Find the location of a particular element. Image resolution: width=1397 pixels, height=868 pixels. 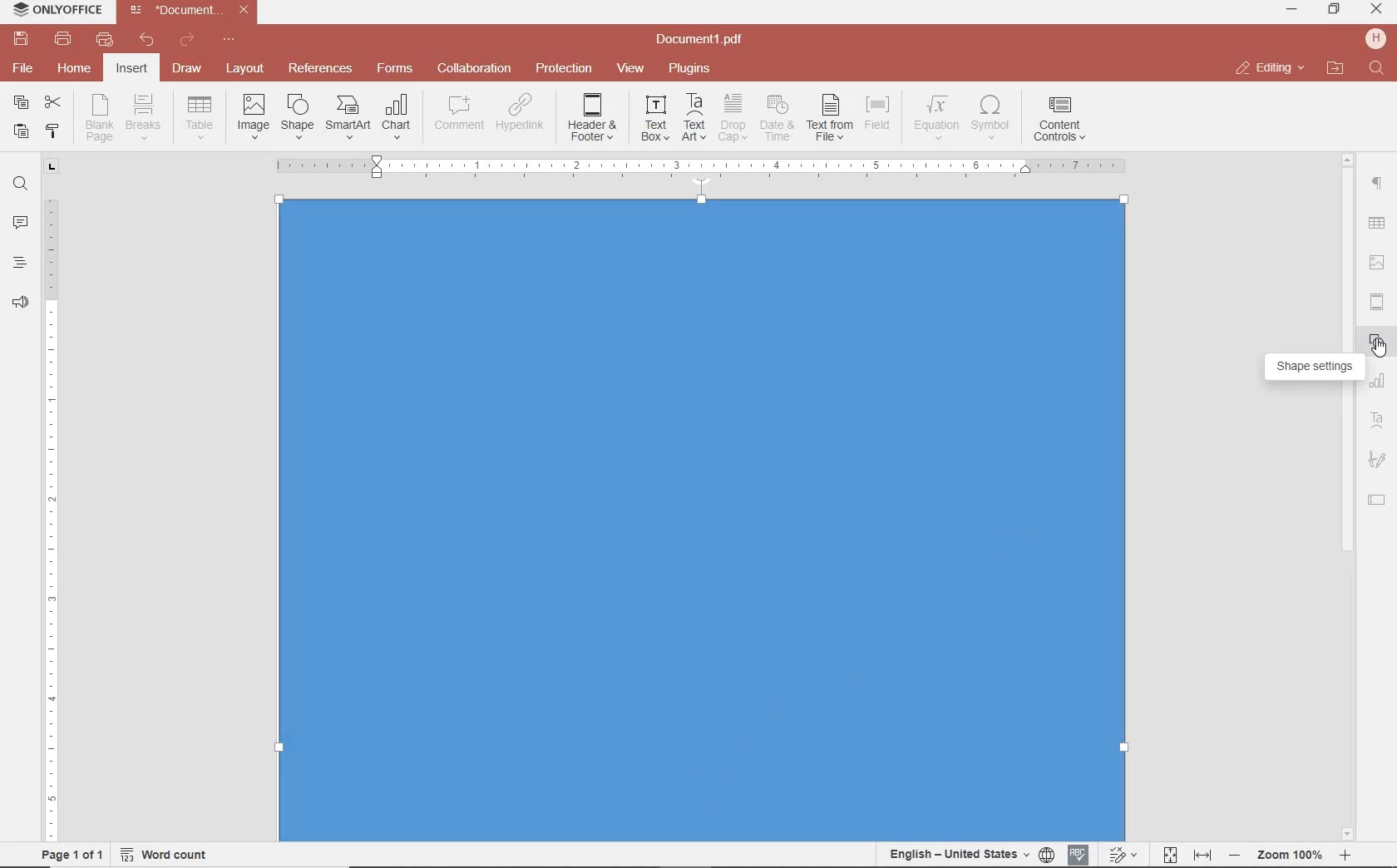

INSERT CONTENT CONTROLS is located at coordinates (1059, 120).